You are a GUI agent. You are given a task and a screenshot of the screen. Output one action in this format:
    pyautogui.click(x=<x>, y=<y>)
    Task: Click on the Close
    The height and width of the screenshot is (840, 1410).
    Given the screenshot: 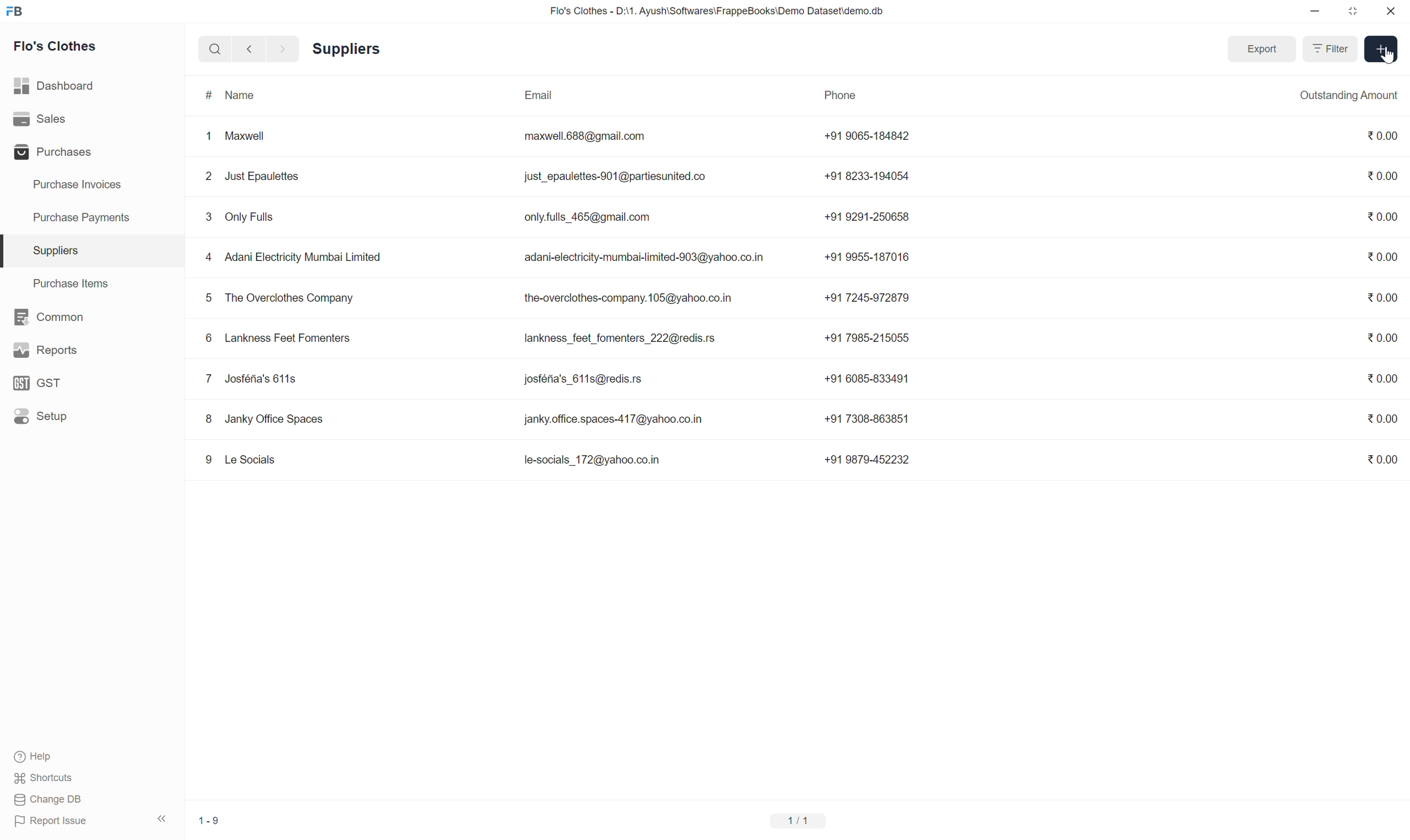 What is the action you would take?
    pyautogui.click(x=1391, y=11)
    